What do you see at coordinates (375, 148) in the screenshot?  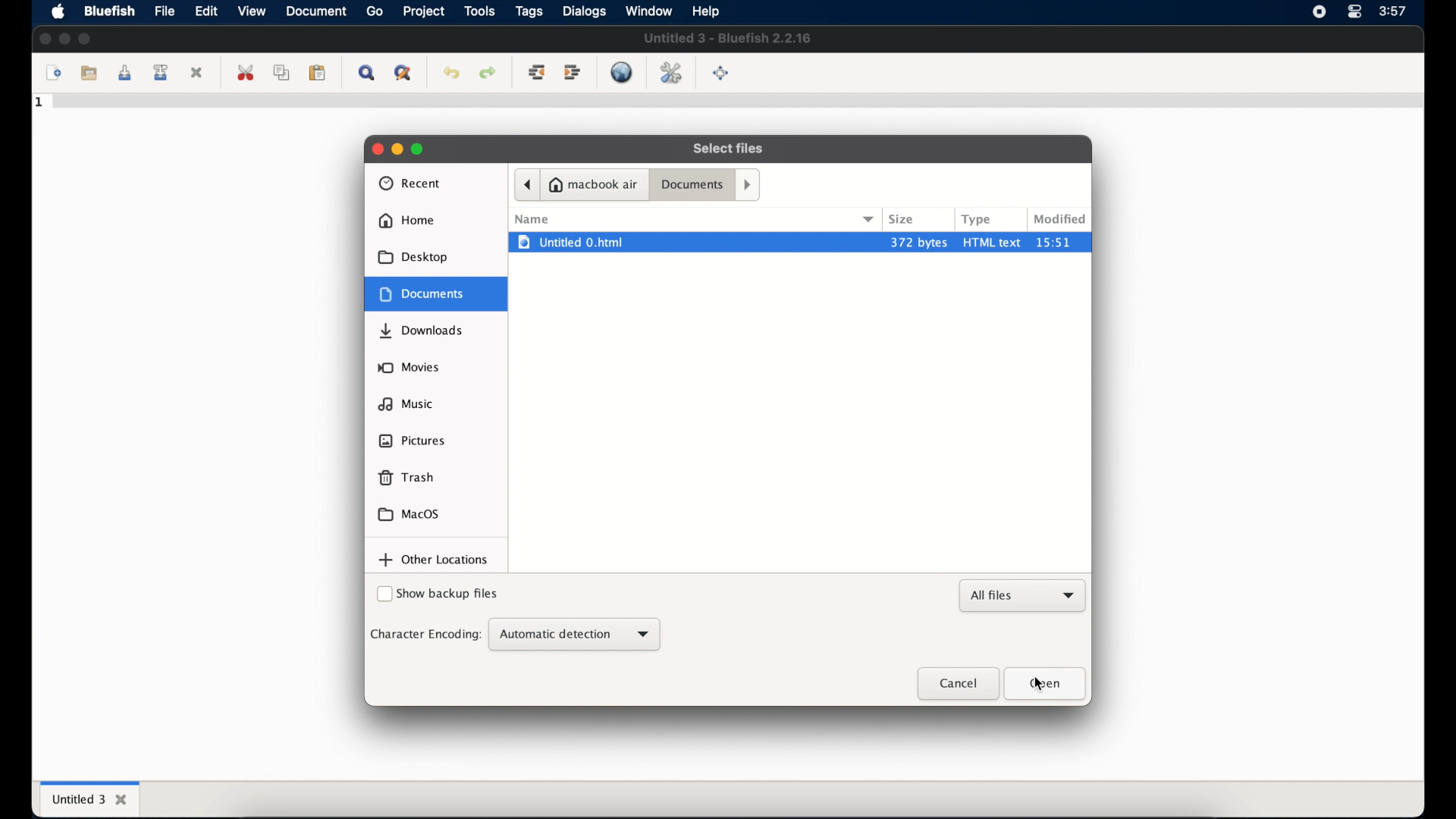 I see `close` at bounding box center [375, 148].